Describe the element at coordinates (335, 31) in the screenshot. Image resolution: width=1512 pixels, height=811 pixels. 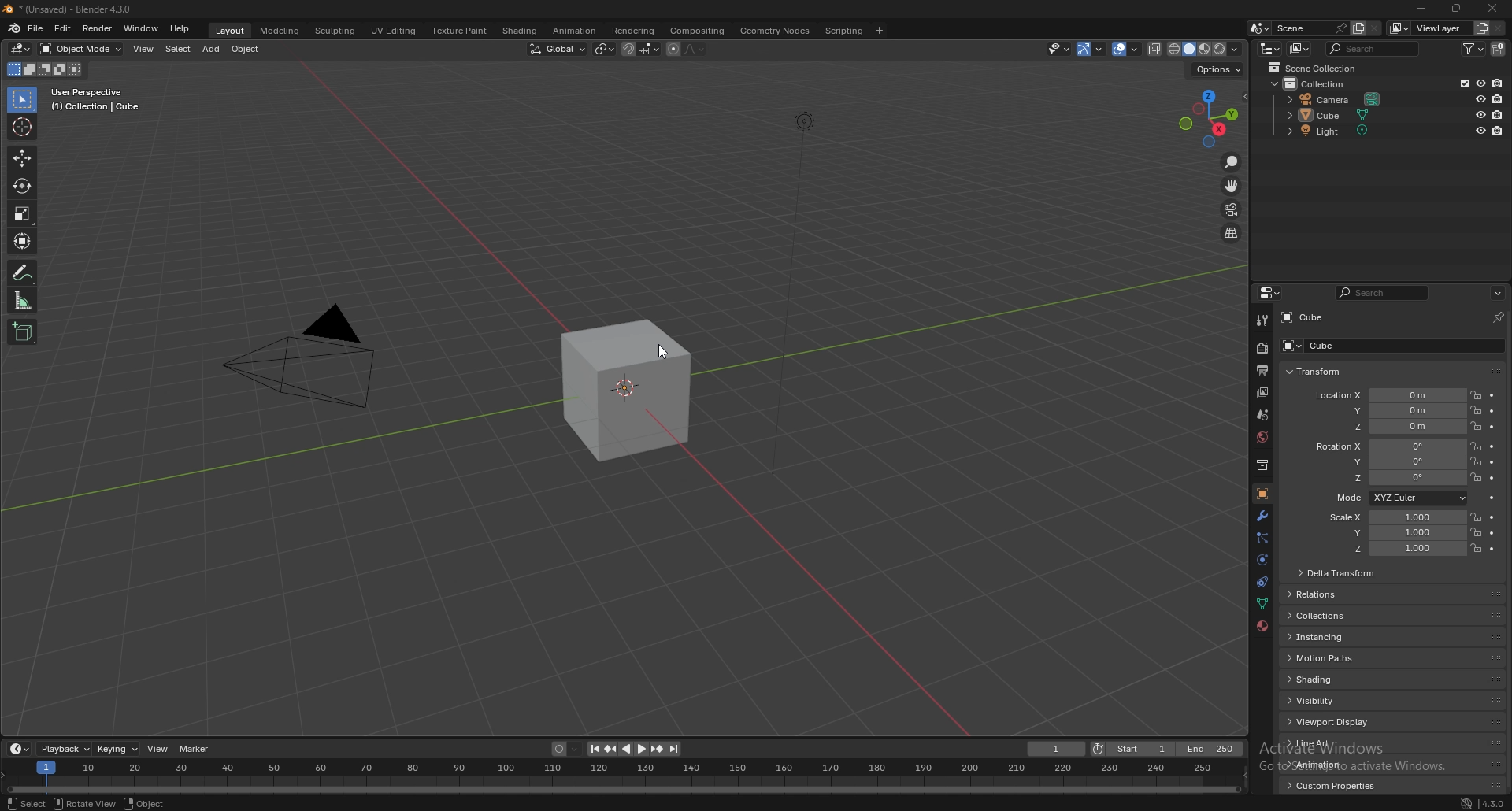
I see `sculpting` at that location.